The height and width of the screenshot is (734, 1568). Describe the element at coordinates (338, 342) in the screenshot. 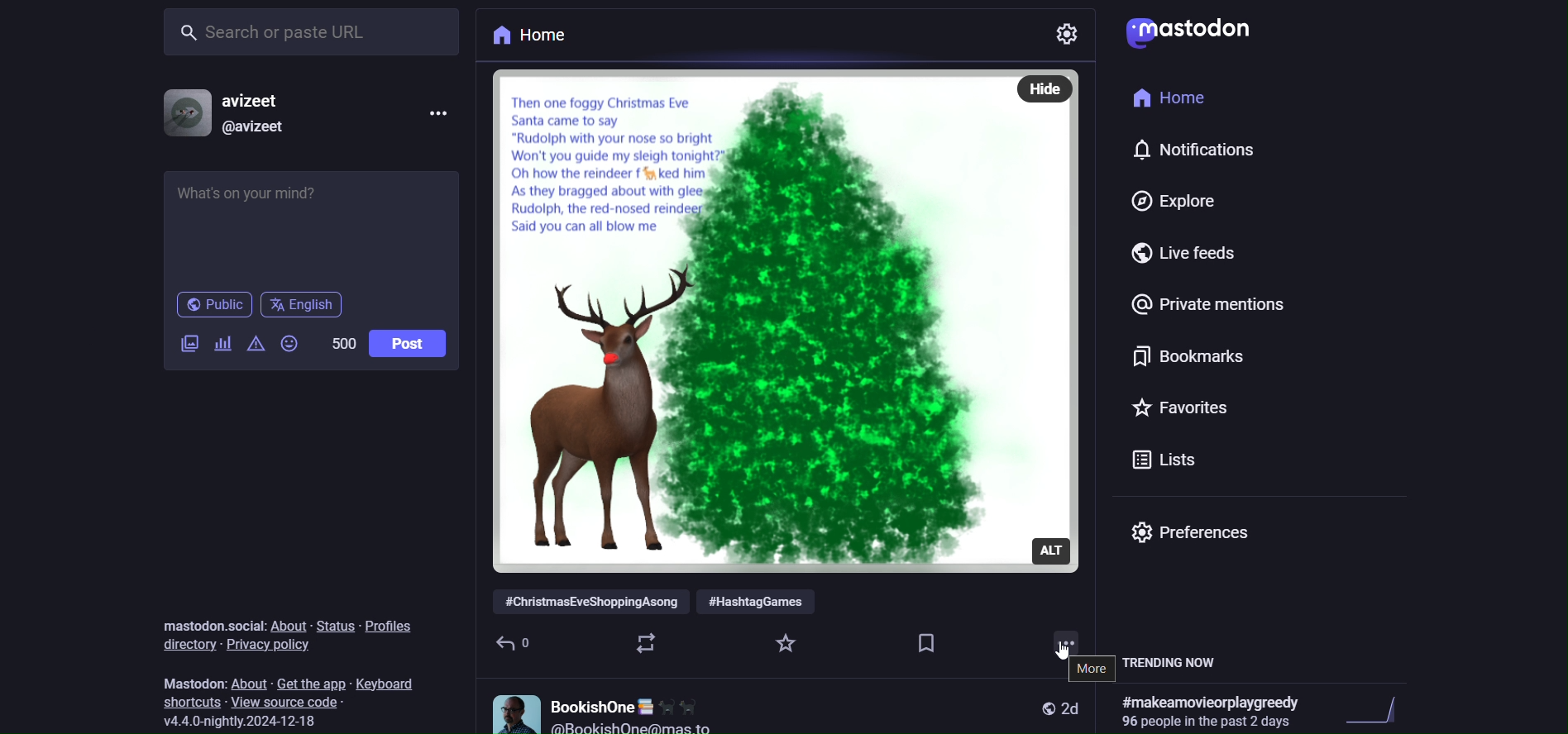

I see `500` at that location.